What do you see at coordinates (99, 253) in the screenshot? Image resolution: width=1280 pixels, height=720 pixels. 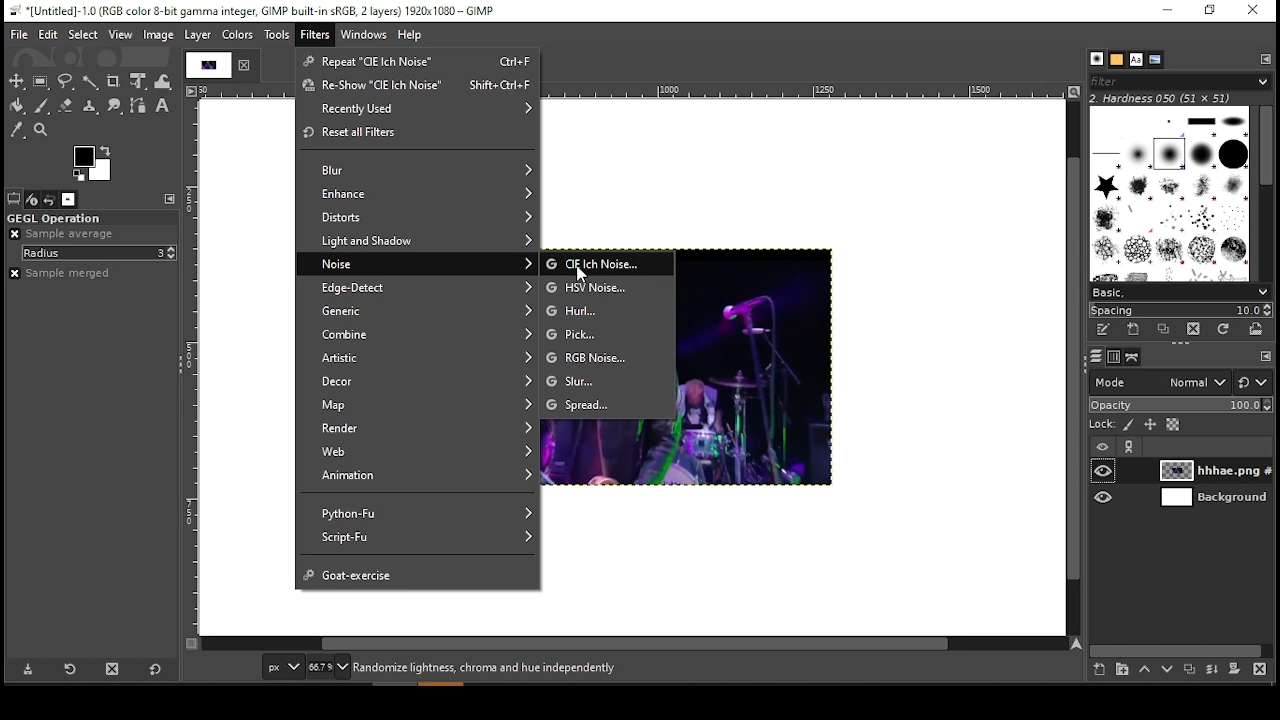 I see `radius` at bounding box center [99, 253].